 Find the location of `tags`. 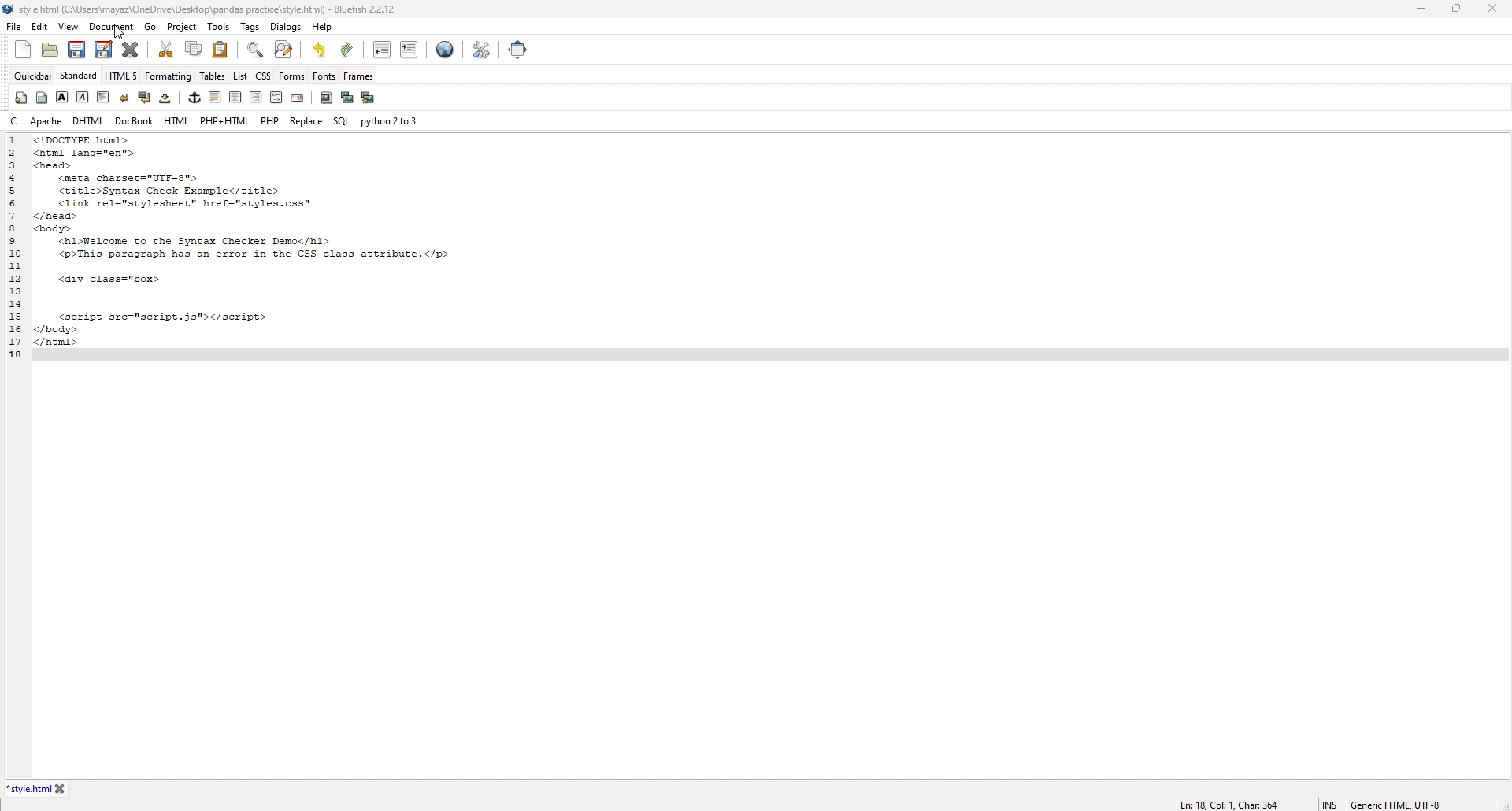

tags is located at coordinates (250, 27).